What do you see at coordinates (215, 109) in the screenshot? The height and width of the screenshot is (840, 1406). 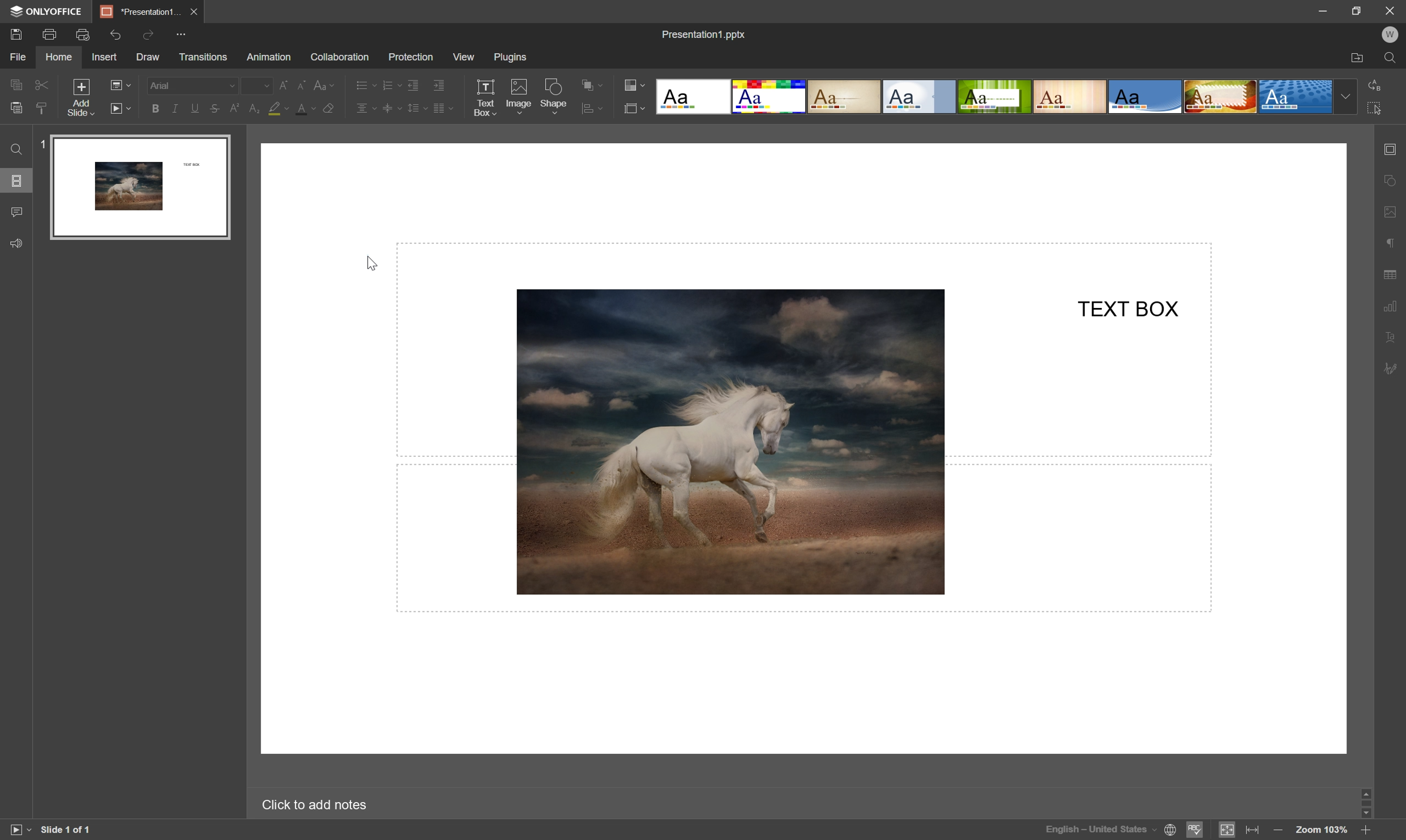 I see `strikethrough` at bounding box center [215, 109].